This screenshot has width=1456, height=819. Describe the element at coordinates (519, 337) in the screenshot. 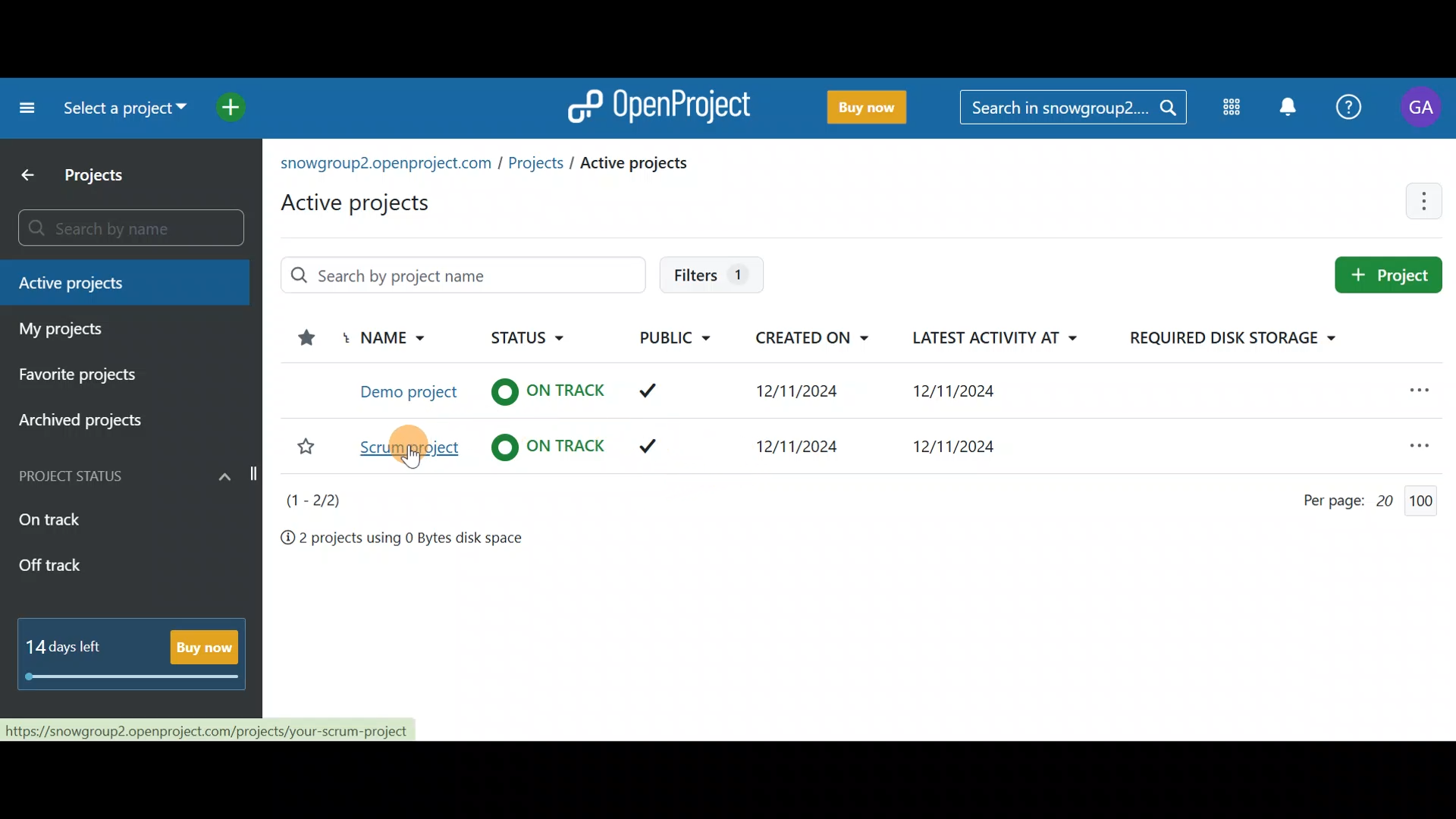

I see `Sort by status` at that location.